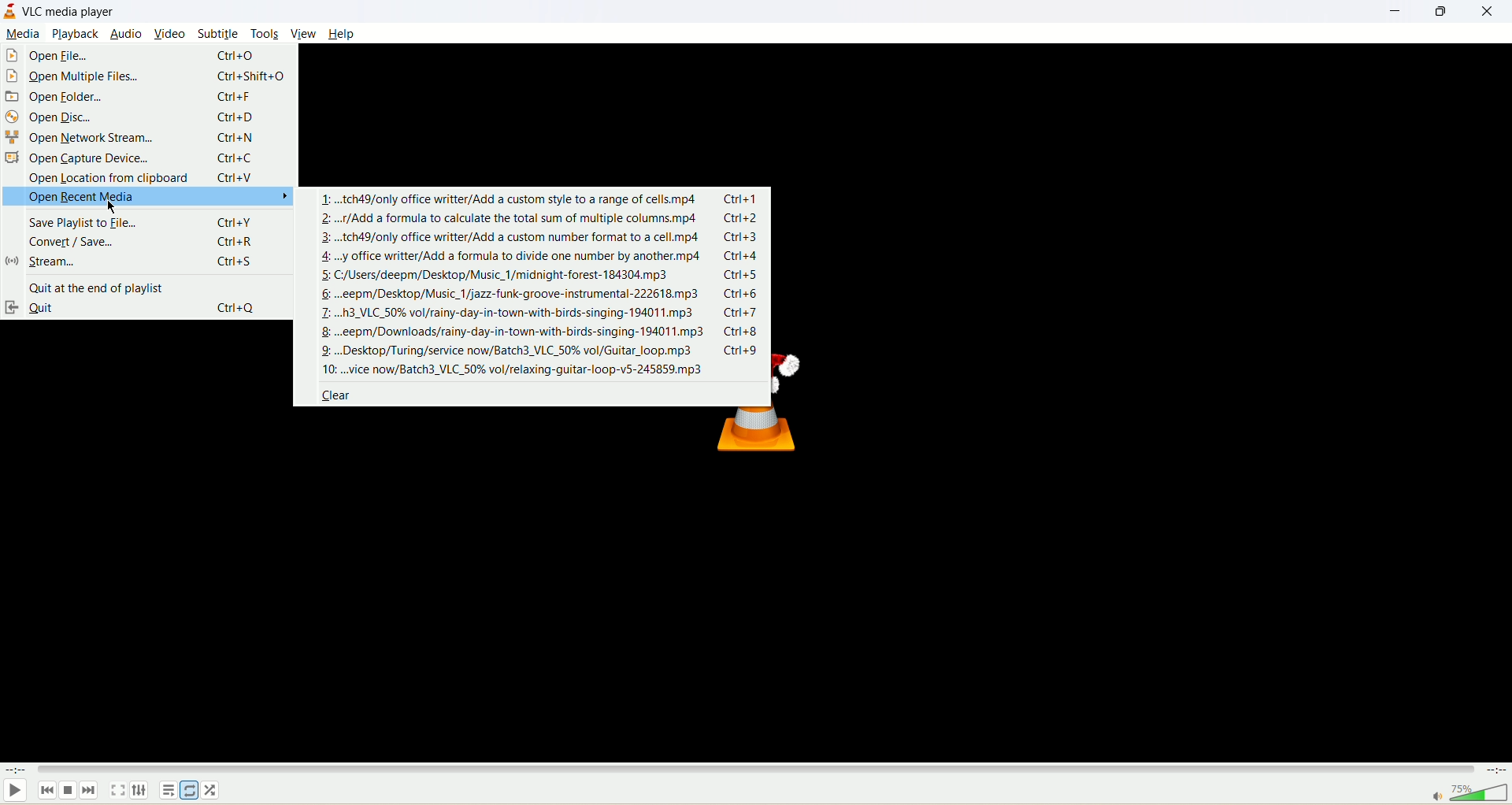 The image size is (1512, 805). Describe the element at coordinates (238, 157) in the screenshot. I see `ctrl+C` at that location.